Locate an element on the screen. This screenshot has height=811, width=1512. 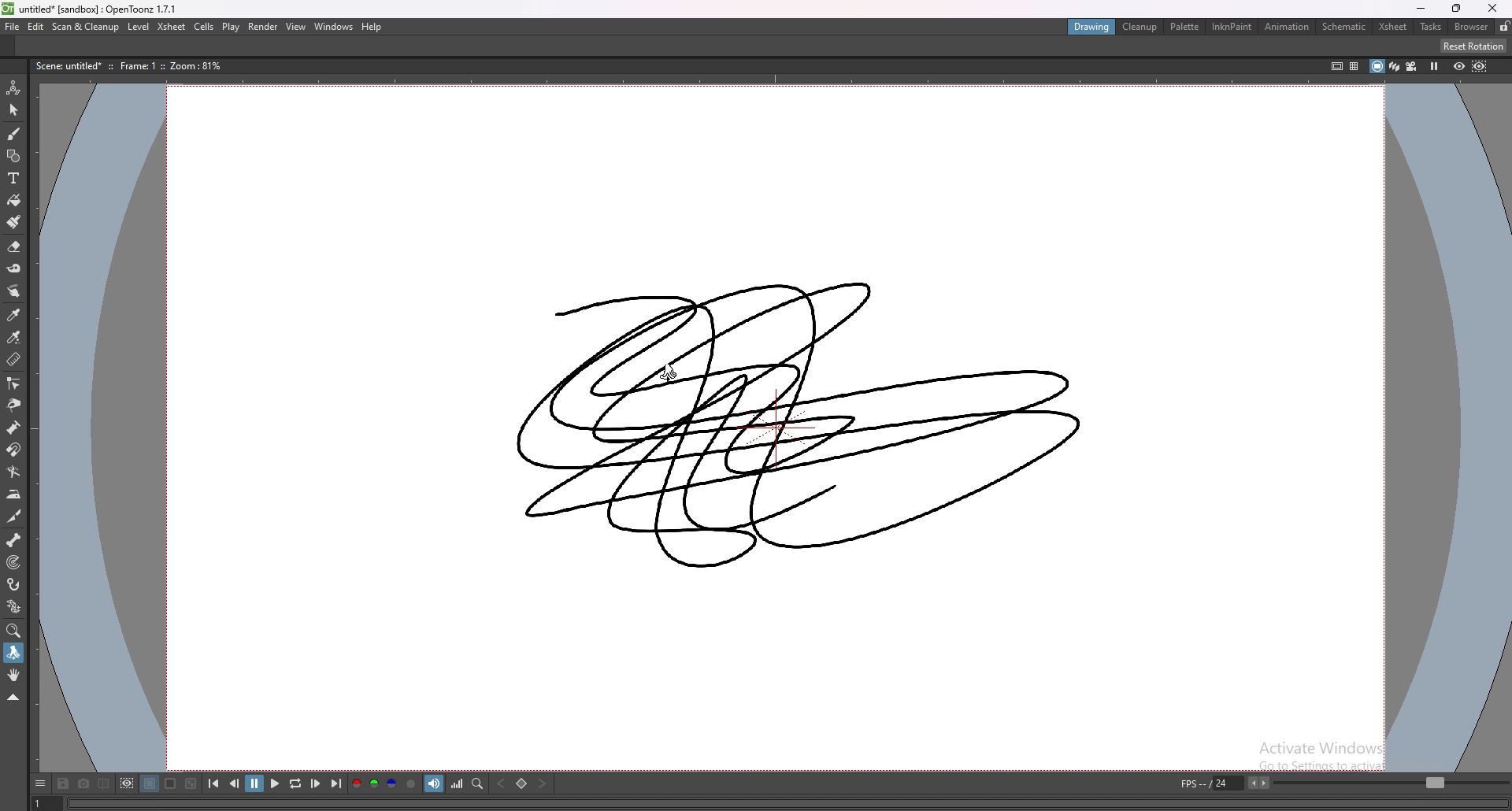
freeze is located at coordinates (1434, 66).